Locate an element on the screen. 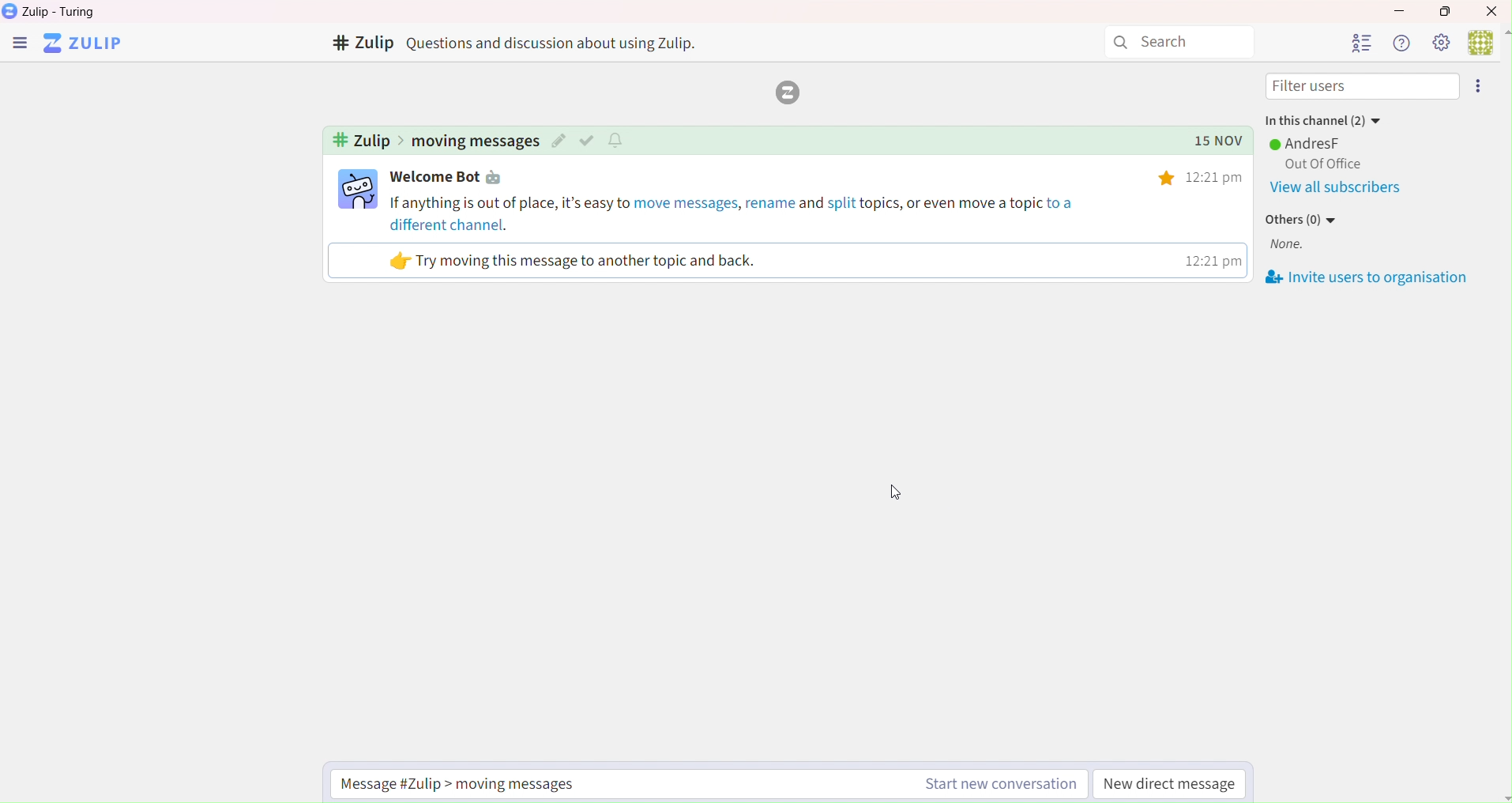 This screenshot has height=803, width=1512. Search is located at coordinates (1179, 43).